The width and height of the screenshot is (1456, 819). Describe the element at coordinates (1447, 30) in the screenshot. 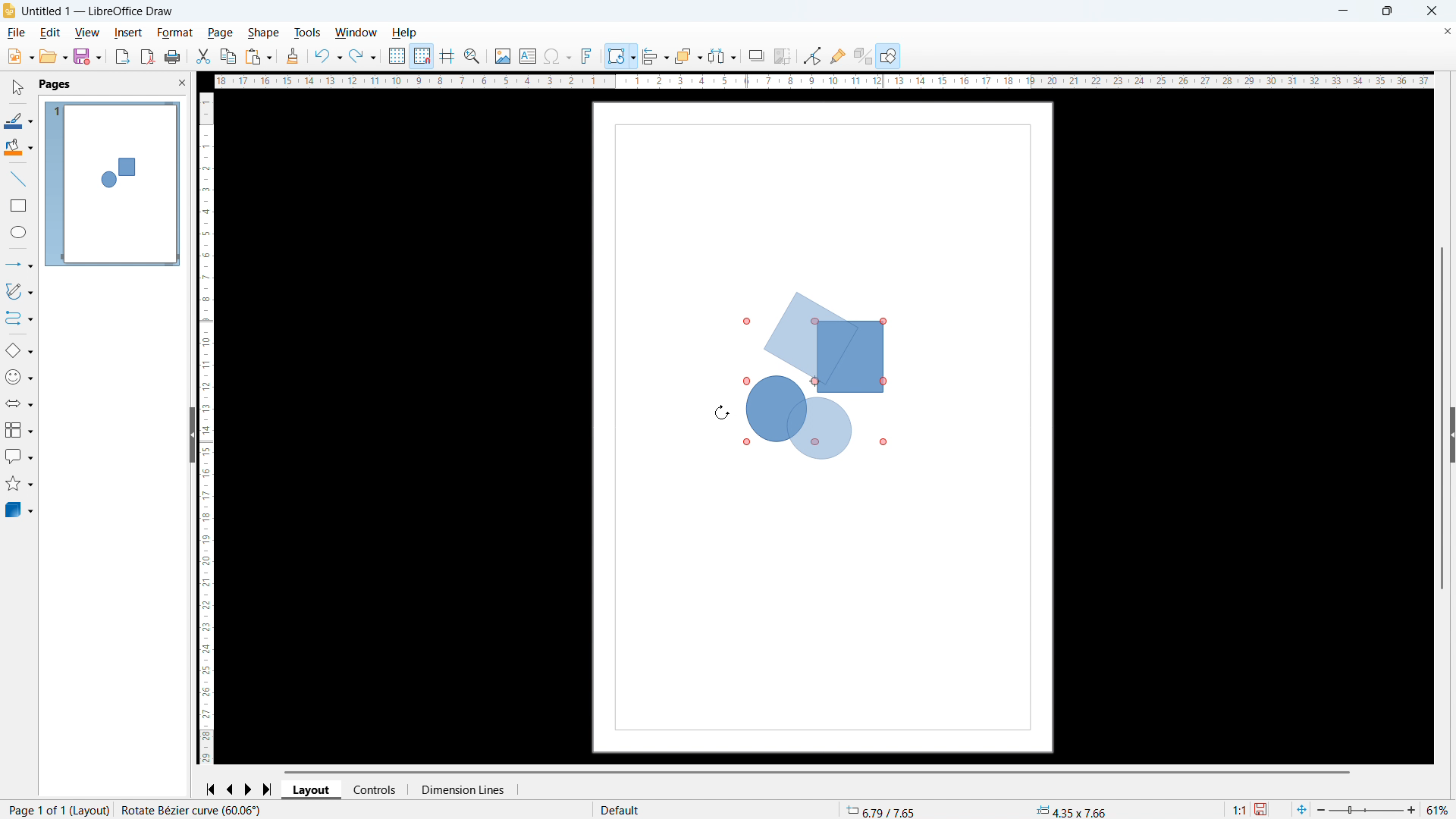

I see `Close document ` at that location.